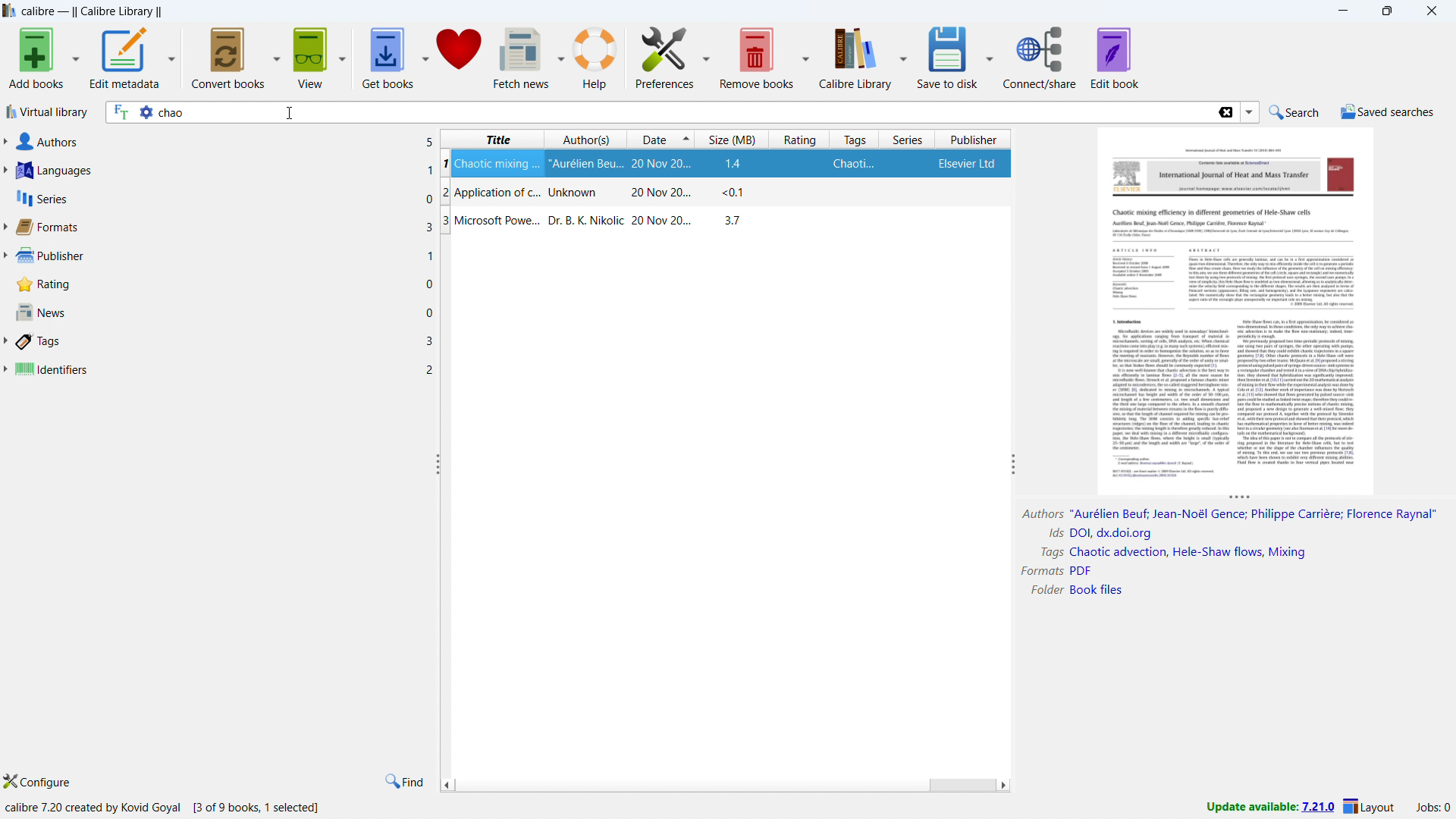 The height and width of the screenshot is (819, 1456). What do you see at coordinates (1239, 310) in the screenshot?
I see `double click to open book details` at bounding box center [1239, 310].